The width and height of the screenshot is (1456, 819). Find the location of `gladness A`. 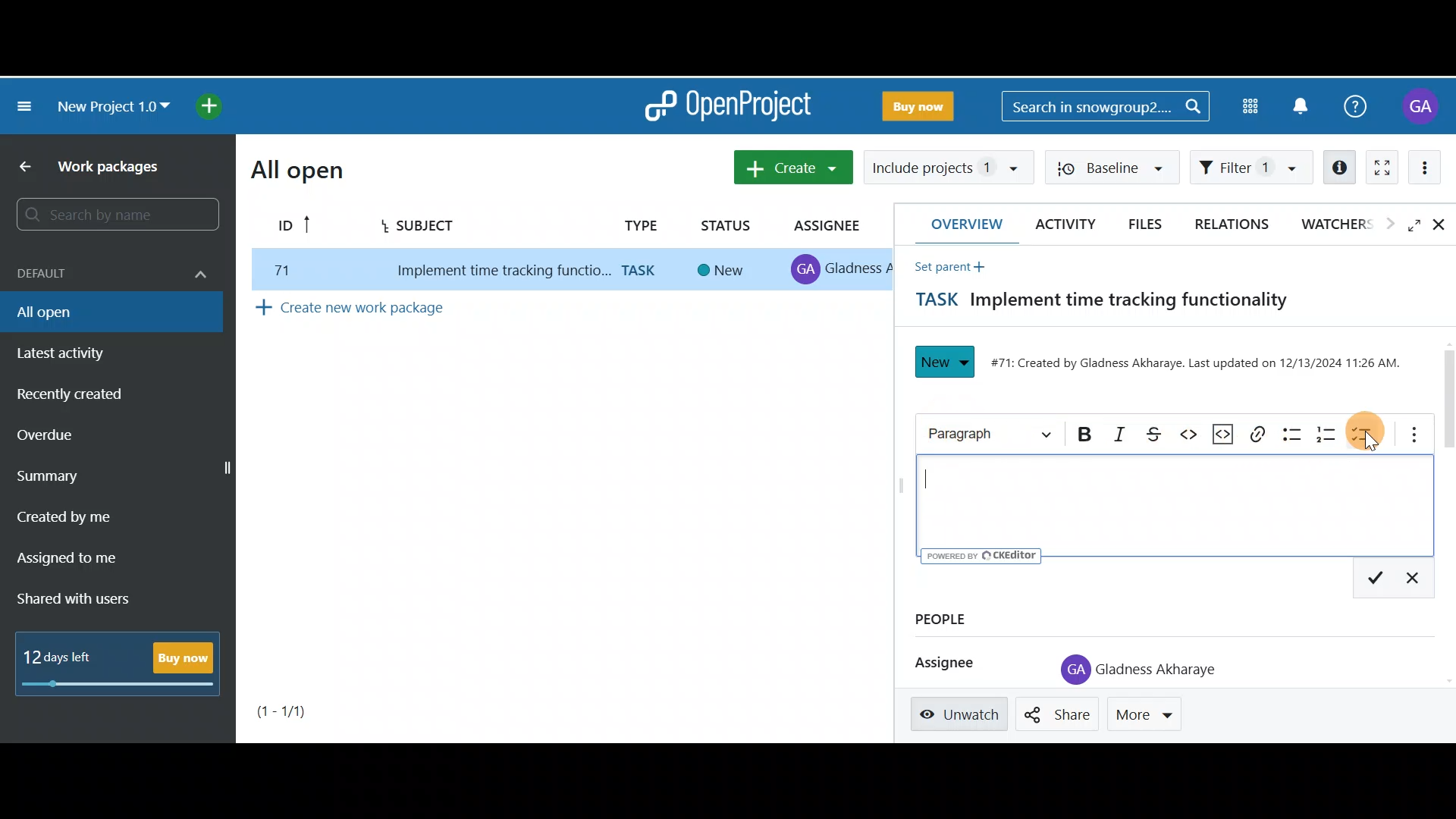

gladness A is located at coordinates (860, 268).